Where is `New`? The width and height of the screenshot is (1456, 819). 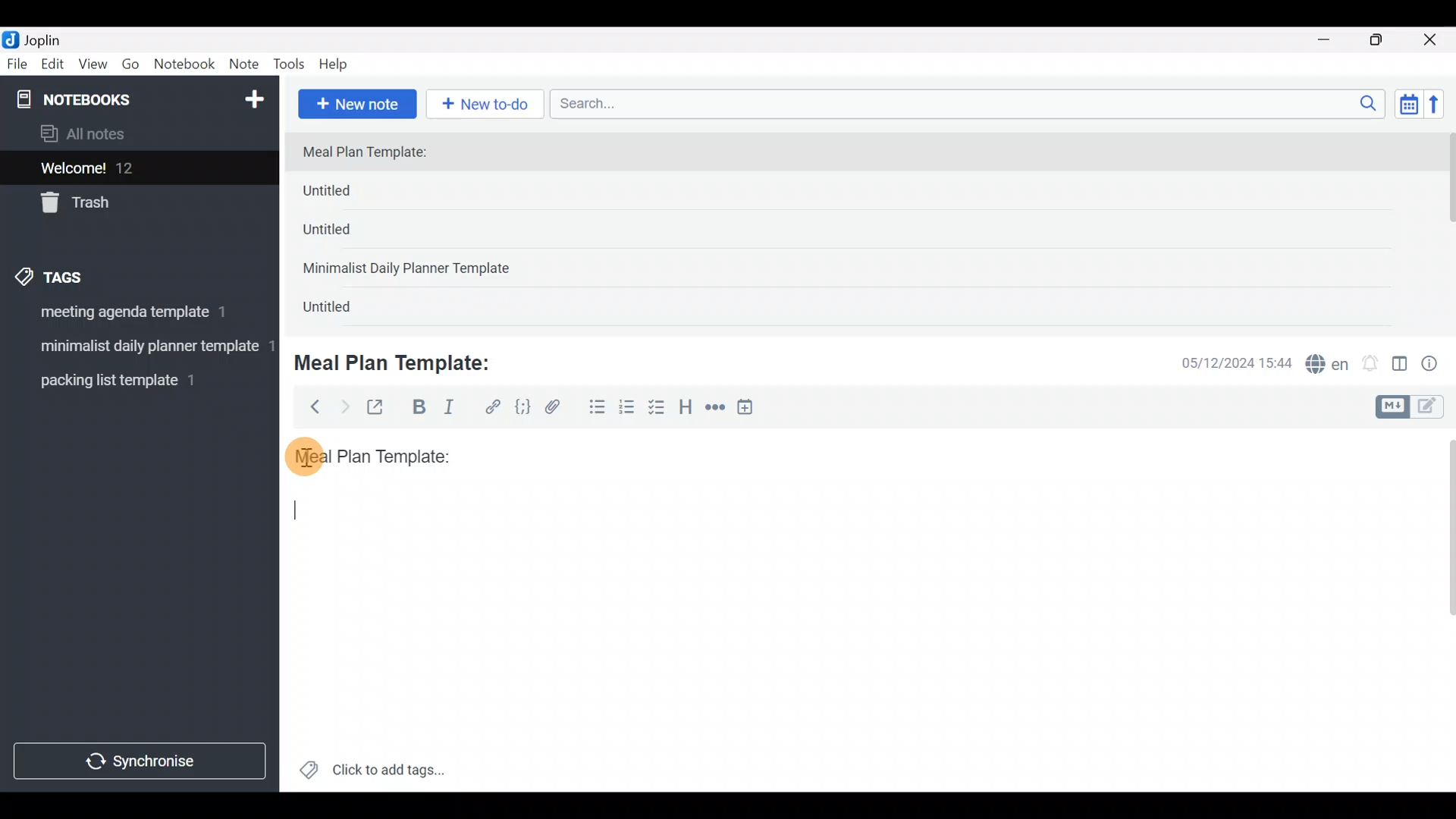
New is located at coordinates (253, 96).